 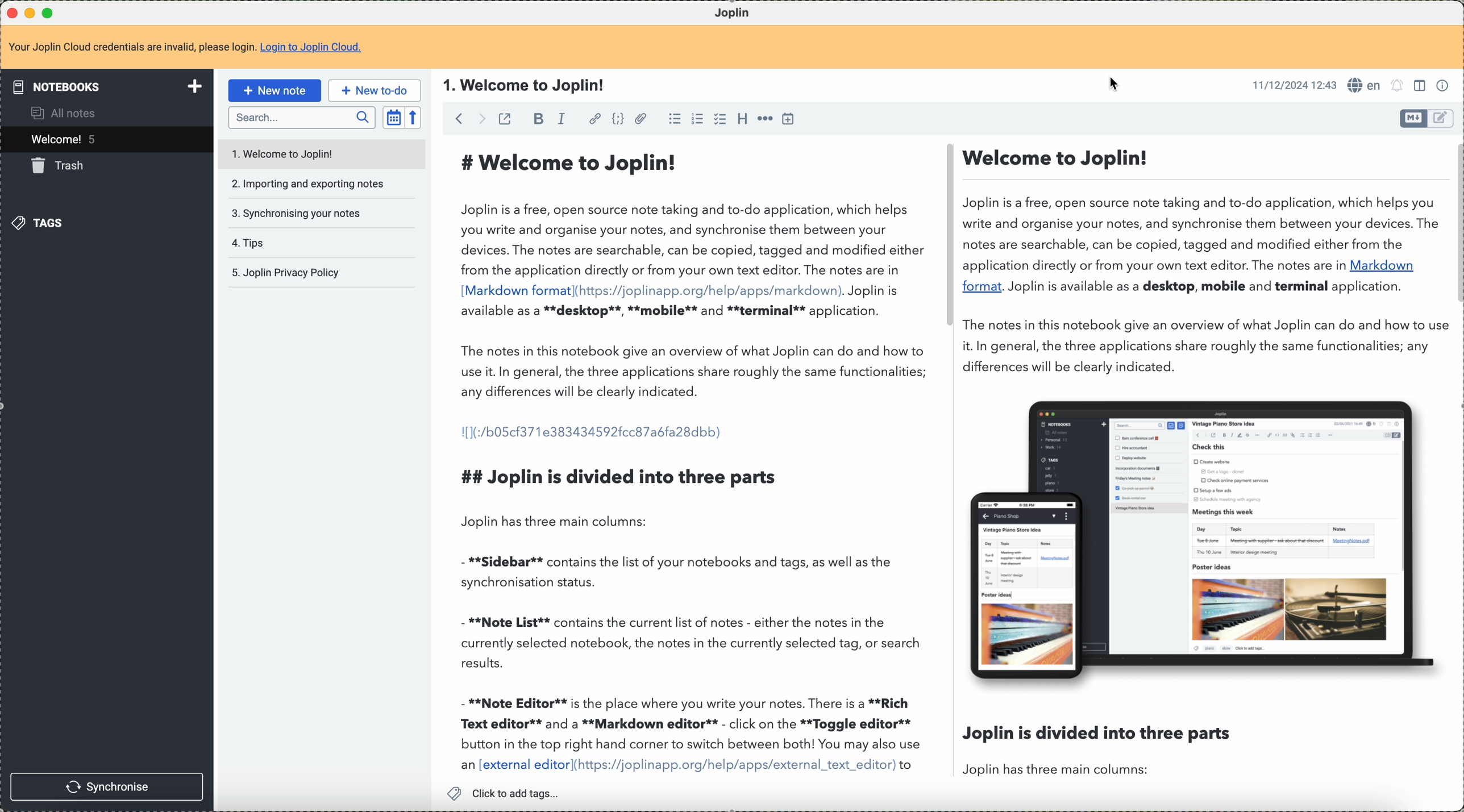 I want to click on toggle editor layouts, so click(x=1421, y=86).